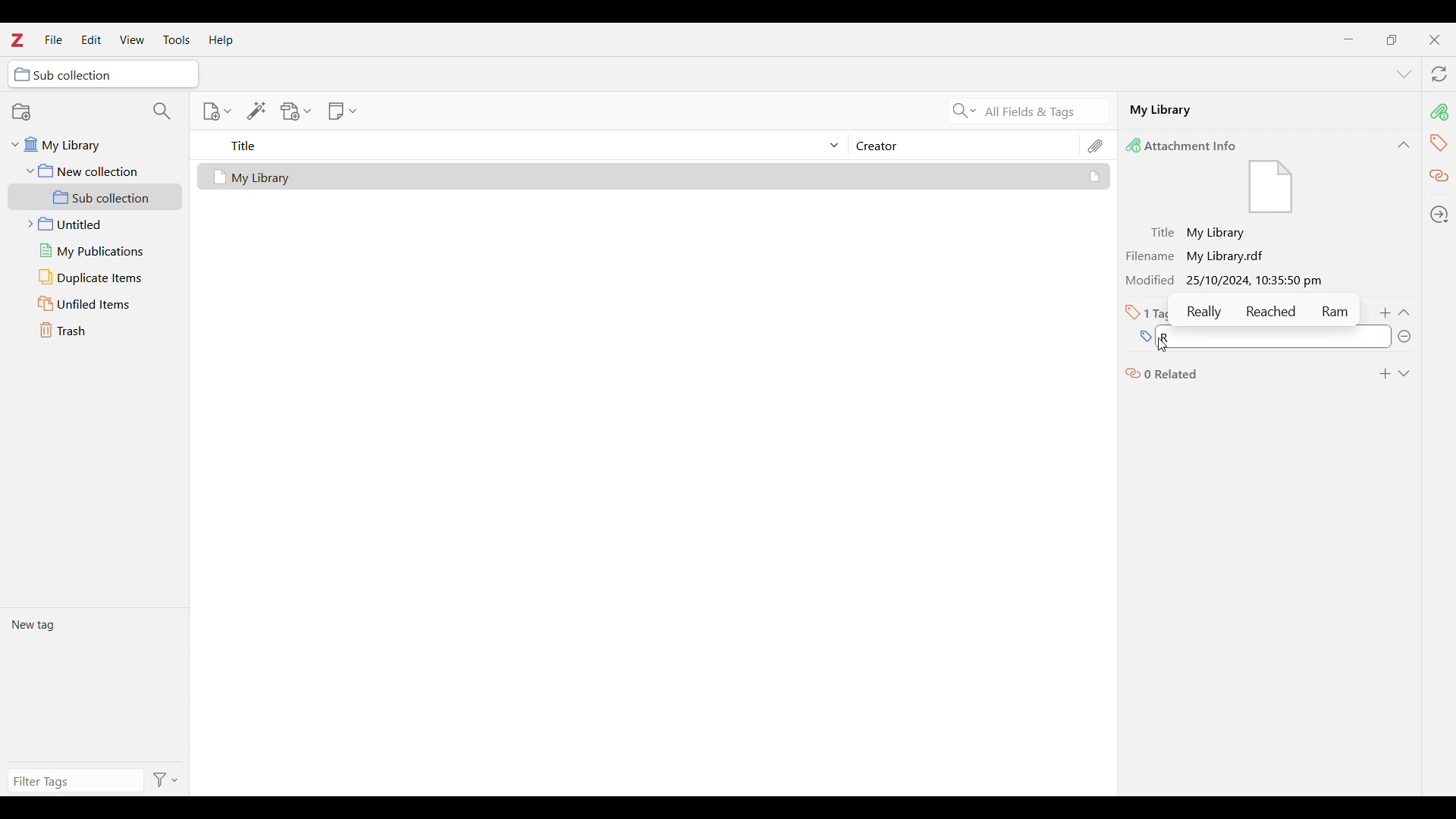 The width and height of the screenshot is (1456, 819). Describe the element at coordinates (1200, 233) in the screenshot. I see `Title: My Library` at that location.